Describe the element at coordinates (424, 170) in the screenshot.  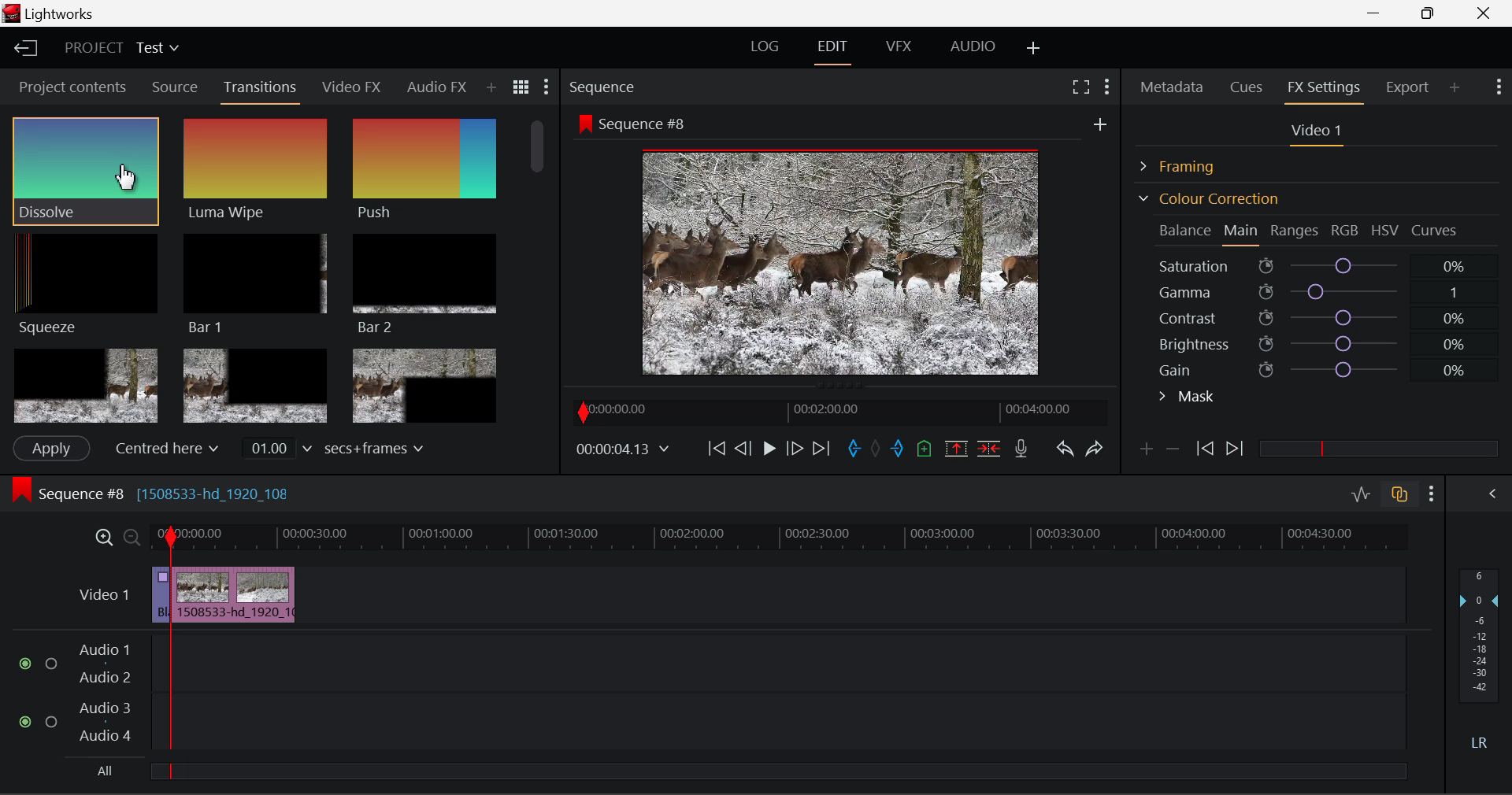
I see `Push` at that location.